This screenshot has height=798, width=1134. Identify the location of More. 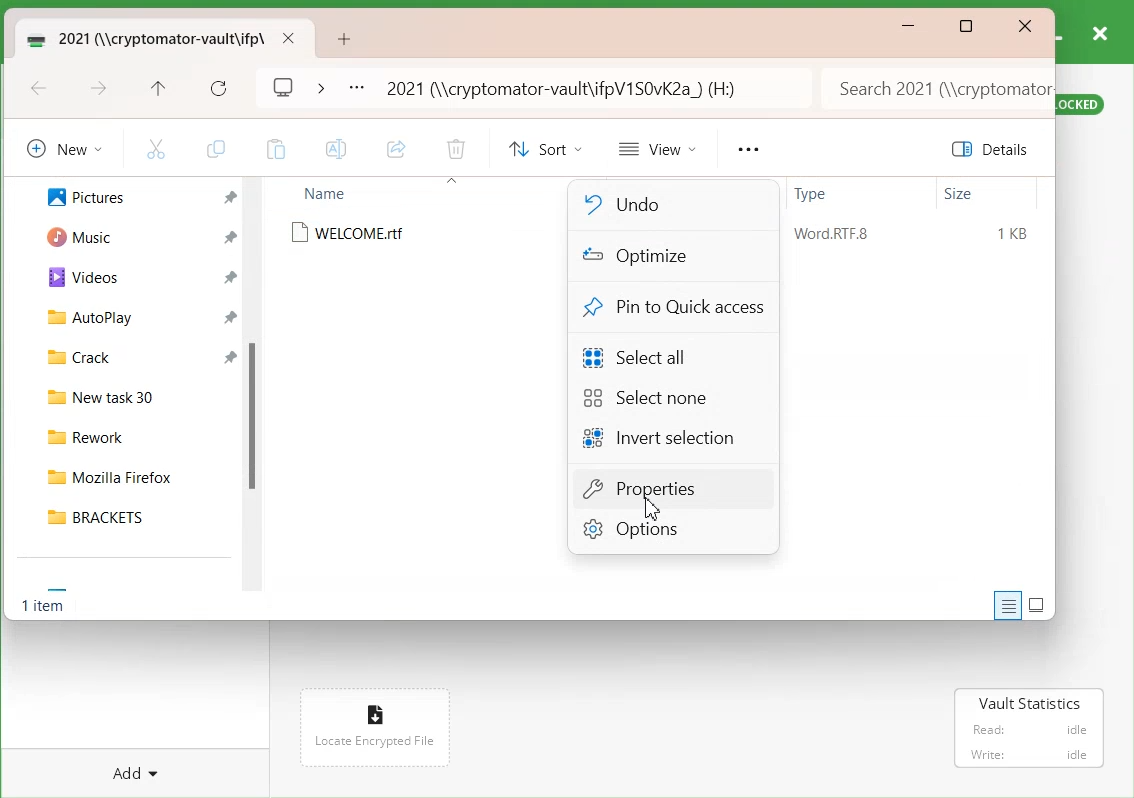
(747, 150).